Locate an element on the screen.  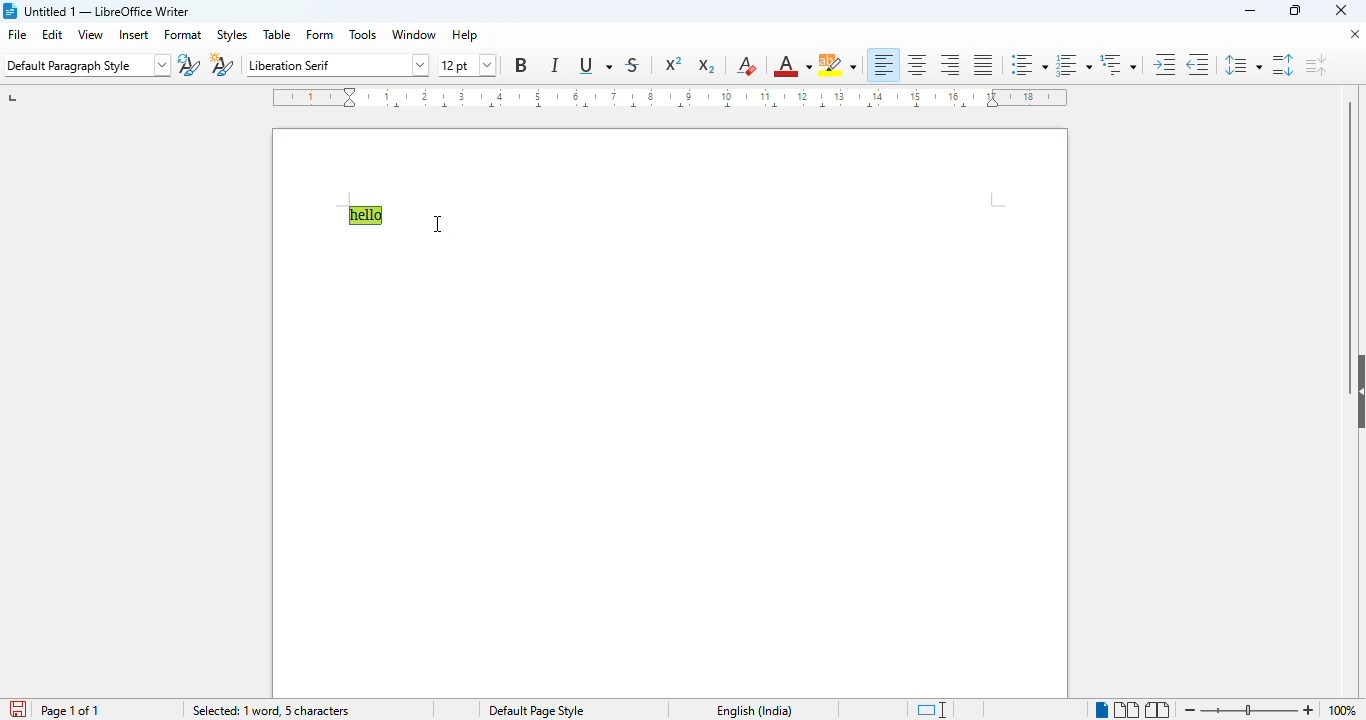
strikethrough is located at coordinates (633, 65).